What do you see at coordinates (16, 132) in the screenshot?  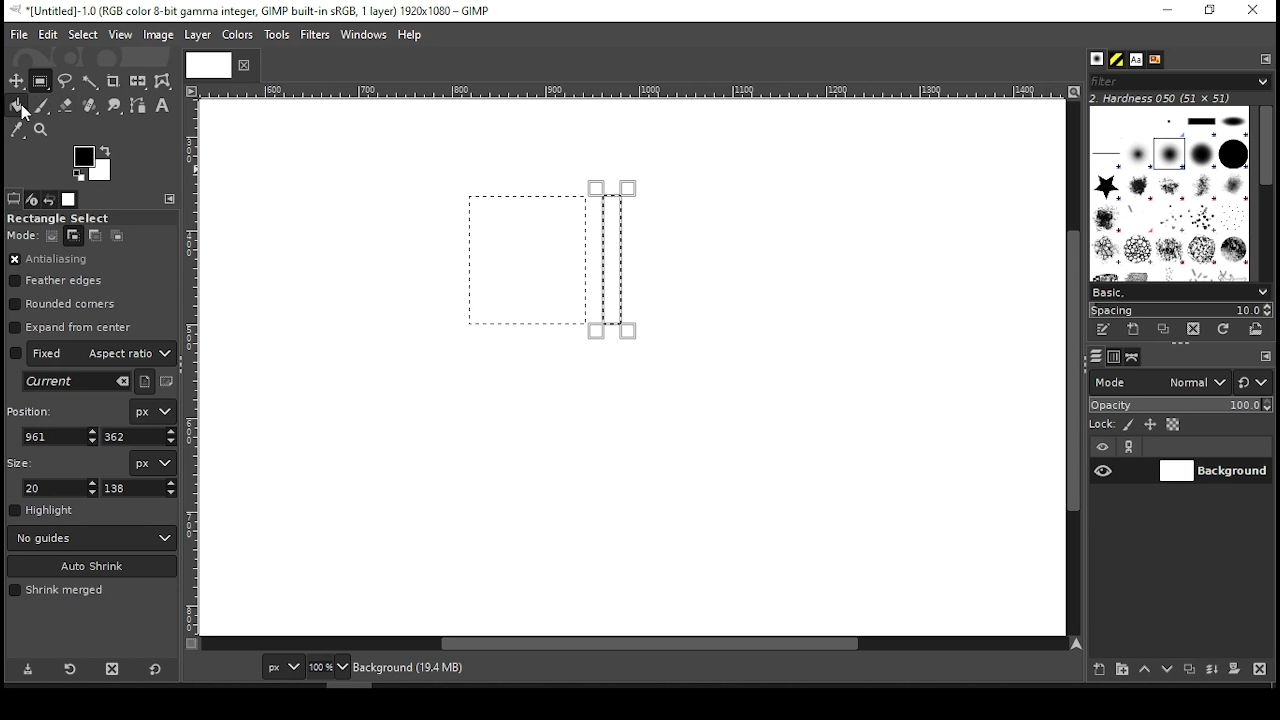 I see `color picker tool` at bounding box center [16, 132].